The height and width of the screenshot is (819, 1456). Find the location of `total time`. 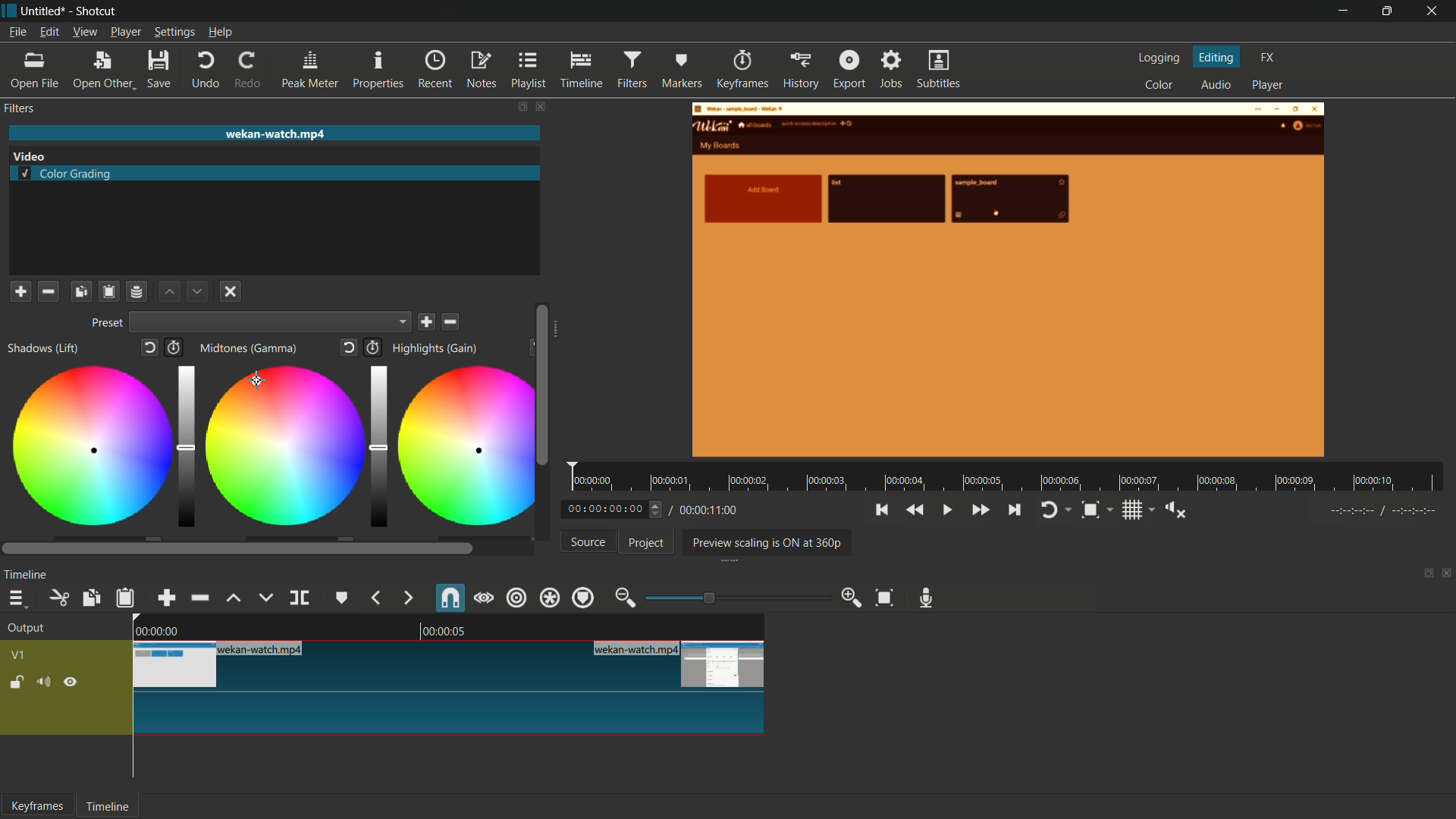

total time is located at coordinates (708, 510).